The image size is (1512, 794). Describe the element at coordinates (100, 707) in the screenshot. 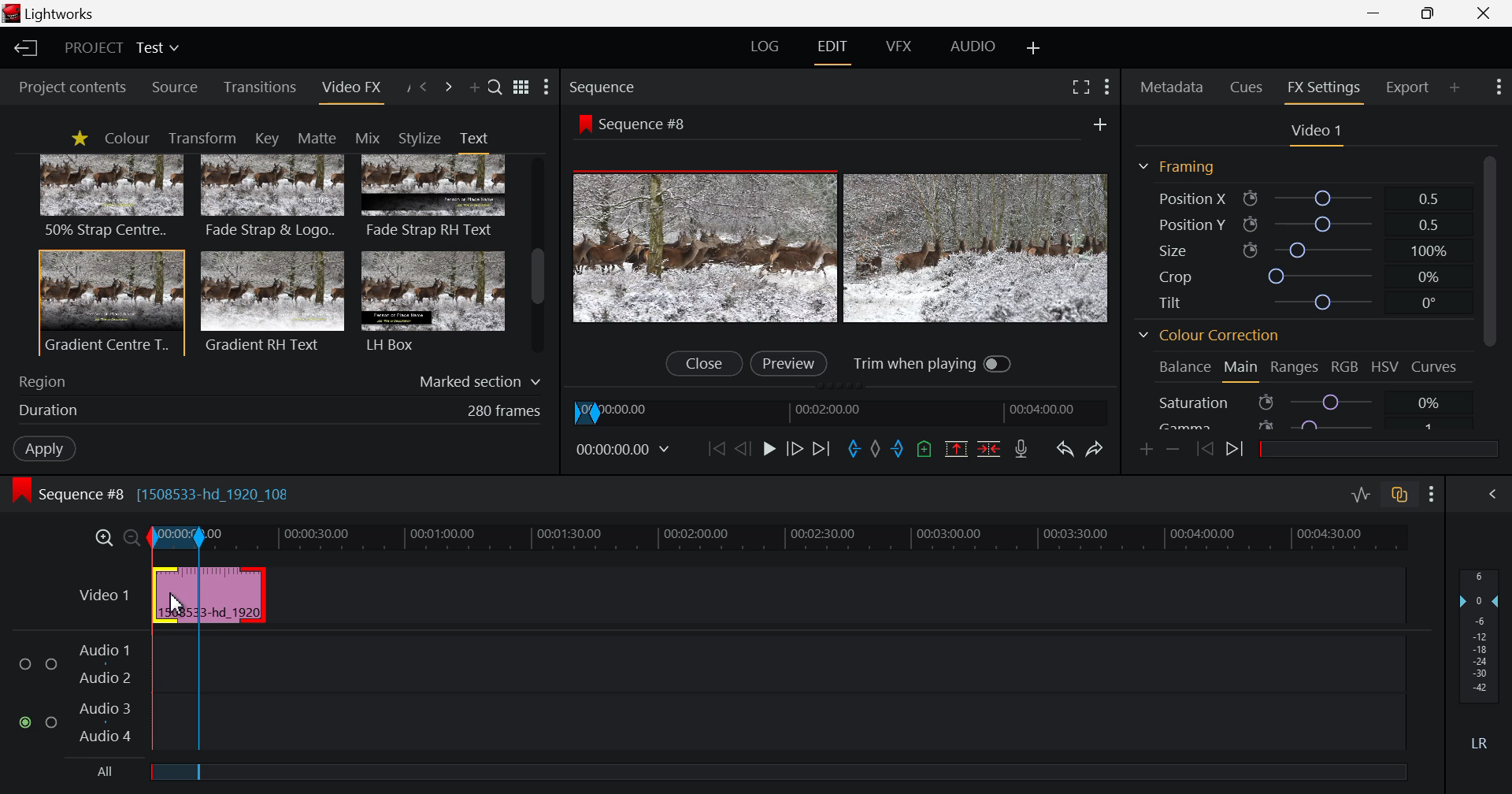

I see `audio 3` at that location.